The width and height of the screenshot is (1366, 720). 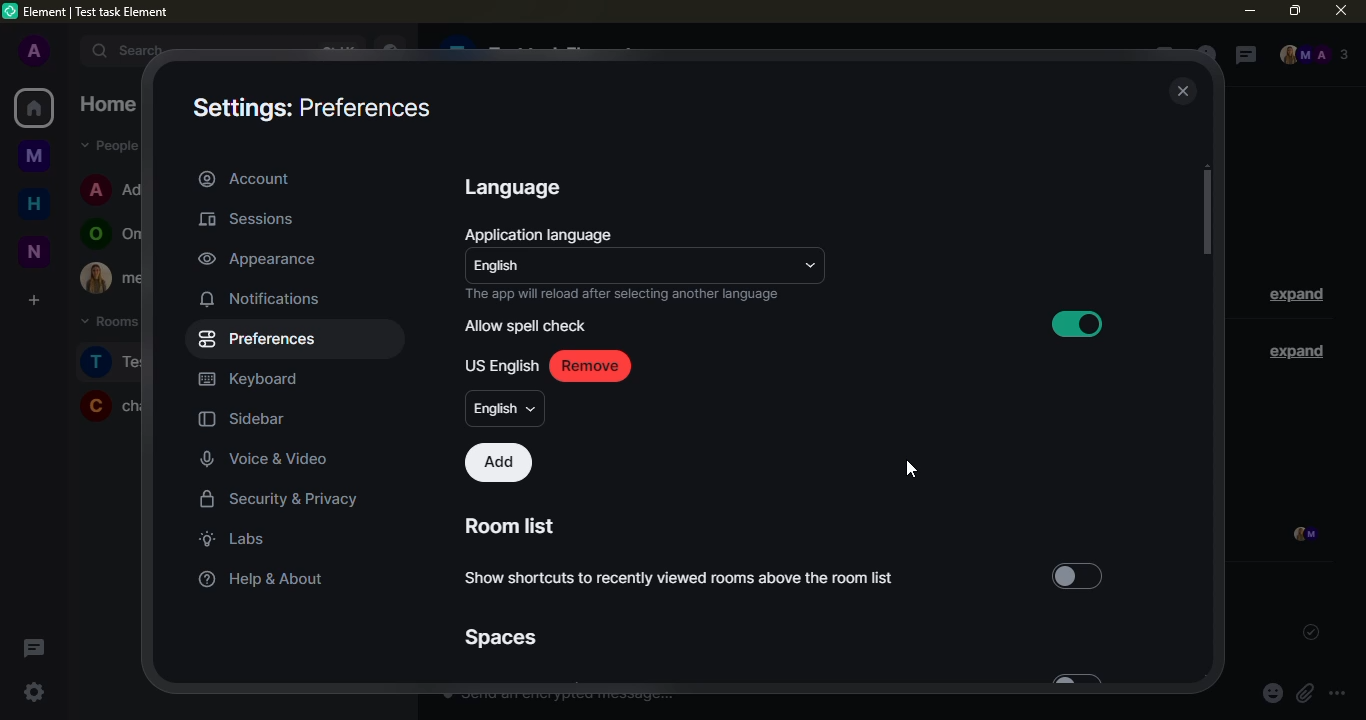 What do you see at coordinates (623, 295) in the screenshot?
I see `info` at bounding box center [623, 295].